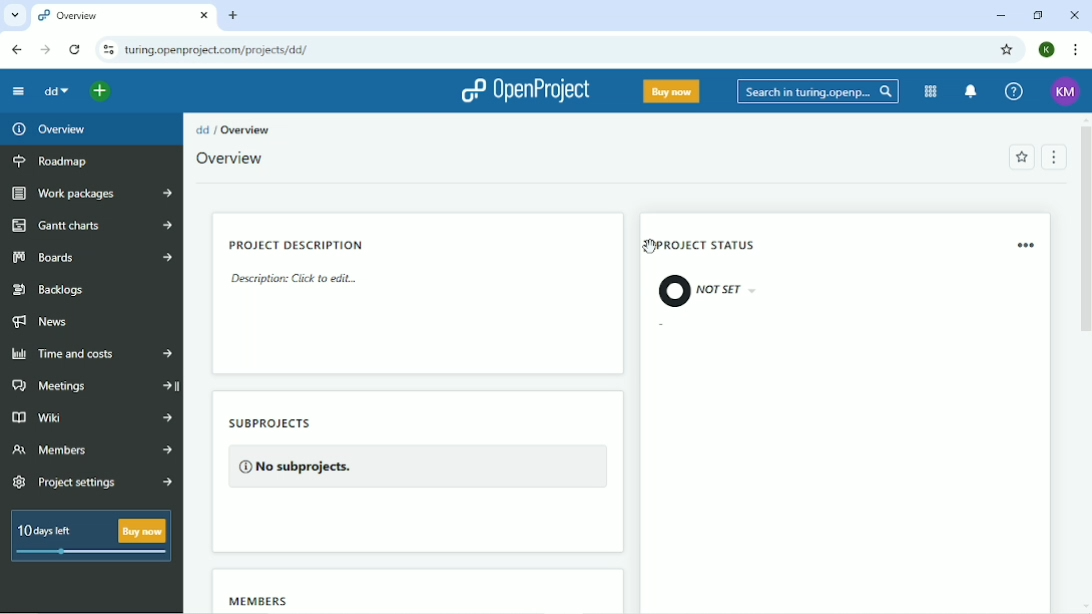 This screenshot has width=1092, height=614. I want to click on Boards, so click(89, 258).